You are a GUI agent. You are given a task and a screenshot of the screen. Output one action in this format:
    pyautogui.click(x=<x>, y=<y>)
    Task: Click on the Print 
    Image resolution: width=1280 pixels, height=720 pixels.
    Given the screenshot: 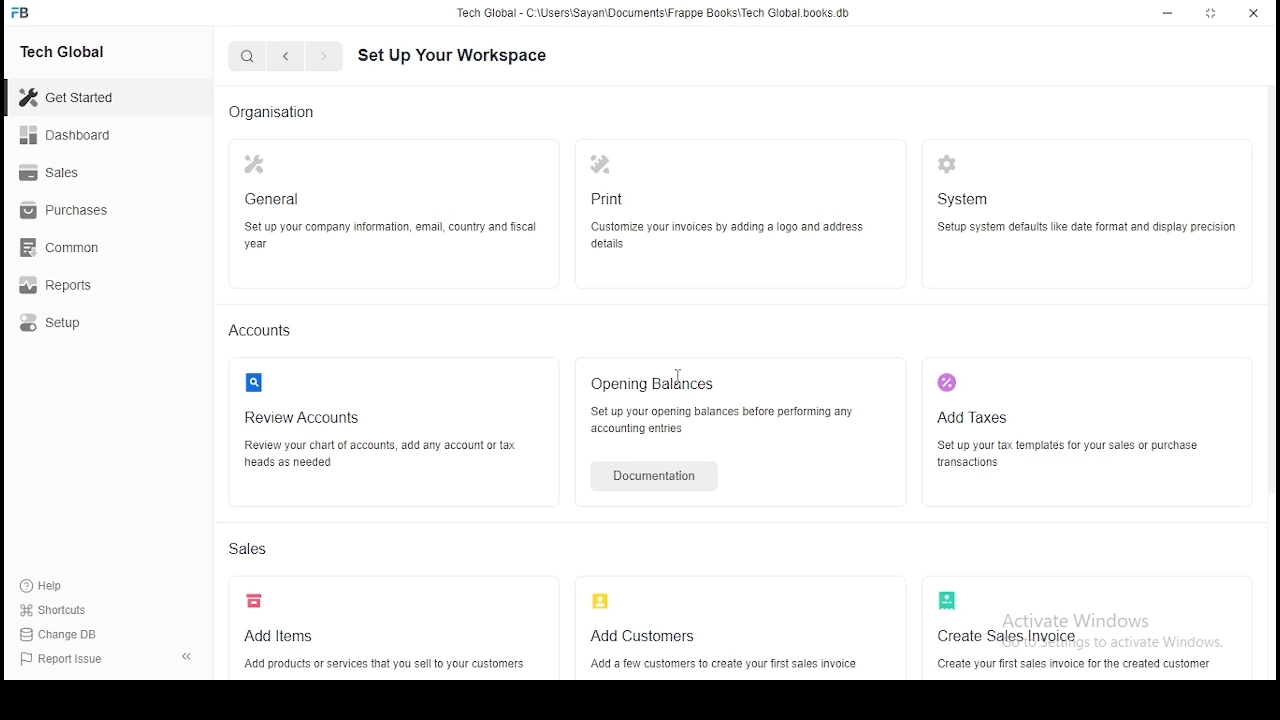 What is the action you would take?
    pyautogui.click(x=722, y=208)
    